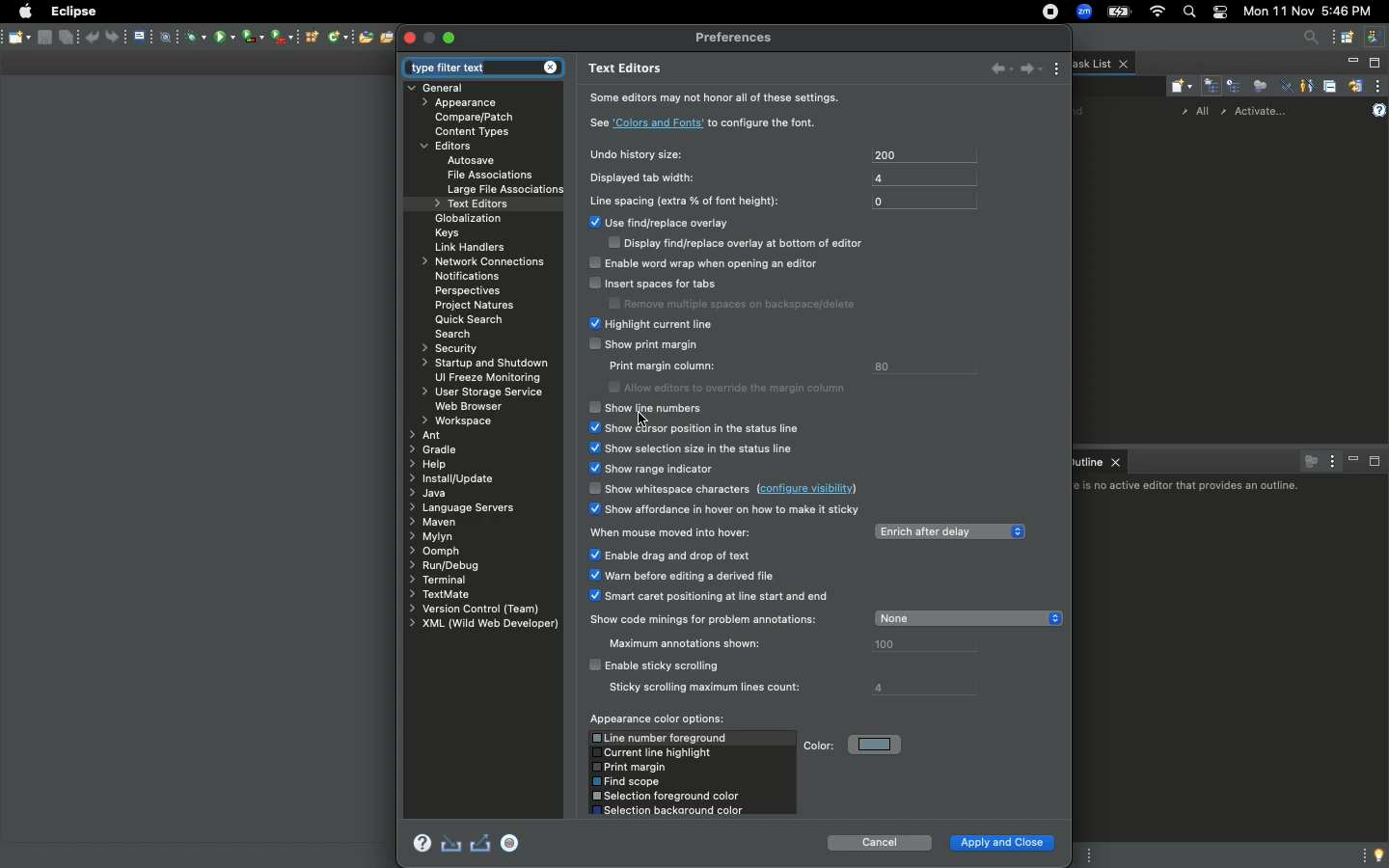 This screenshot has height=868, width=1389. Describe the element at coordinates (466, 291) in the screenshot. I see `Perspectives` at that location.